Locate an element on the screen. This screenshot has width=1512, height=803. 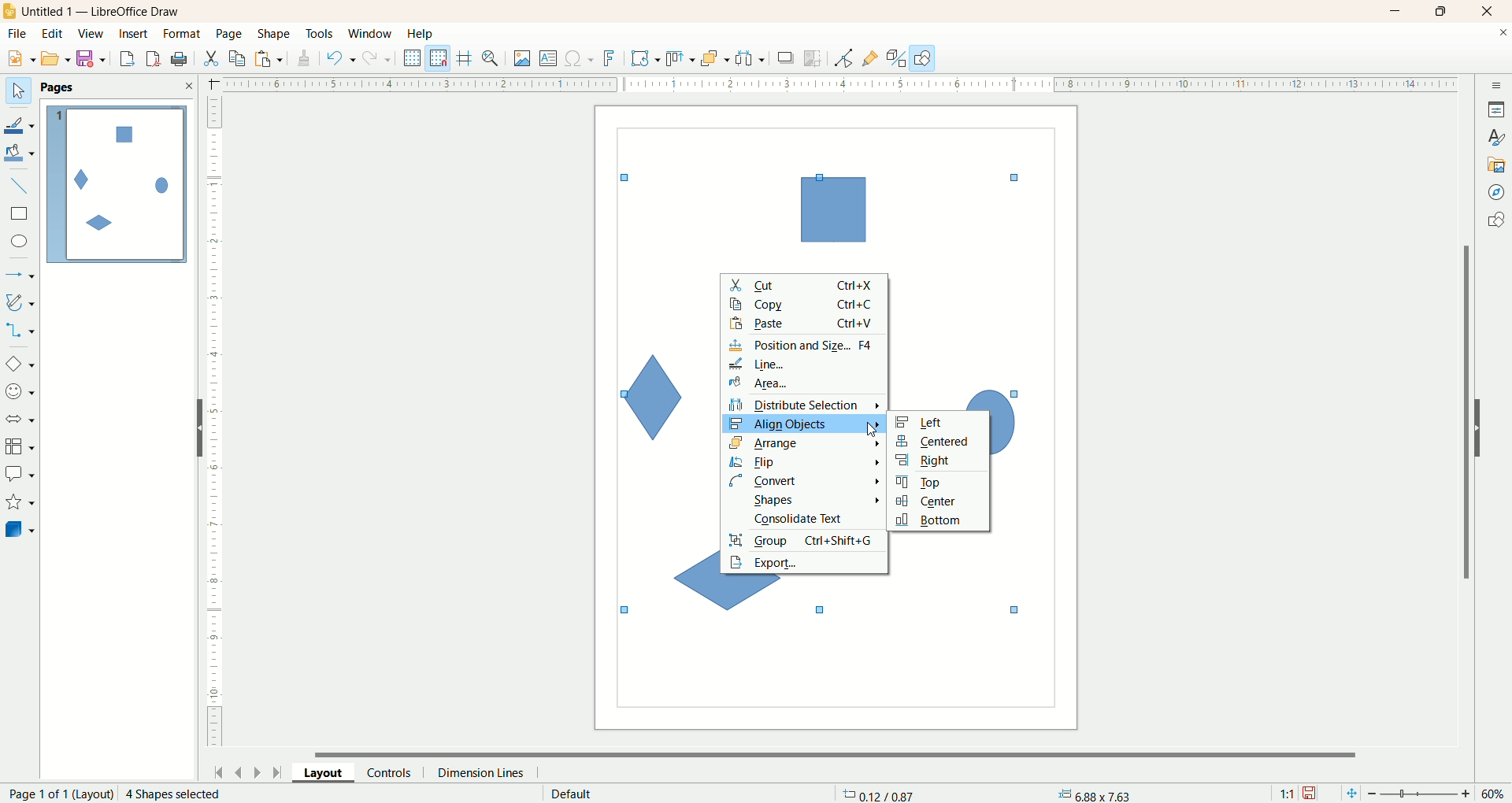
layout is located at coordinates (330, 772).